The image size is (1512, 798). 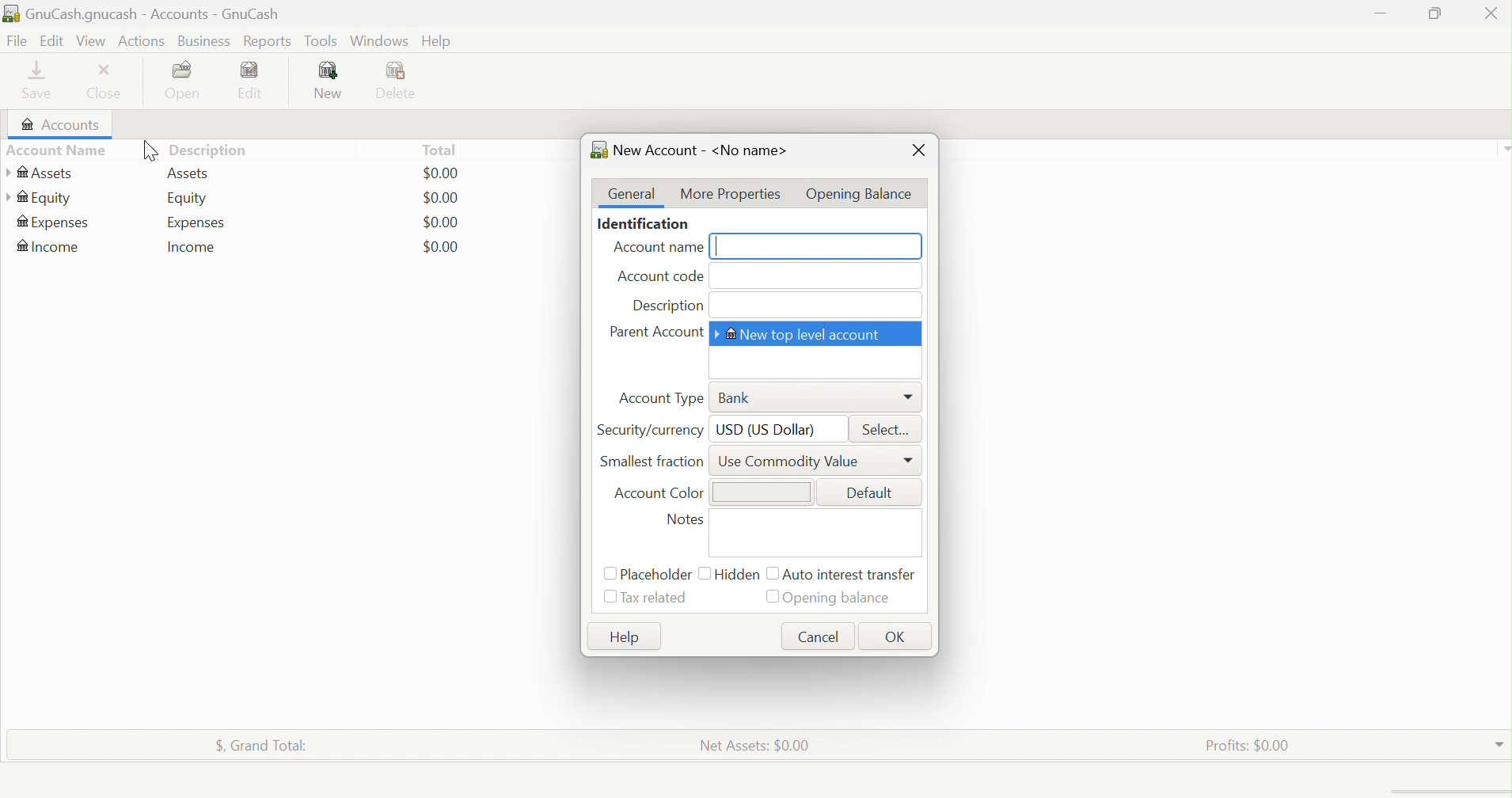 What do you see at coordinates (1382, 11) in the screenshot?
I see `Minimize` at bounding box center [1382, 11].